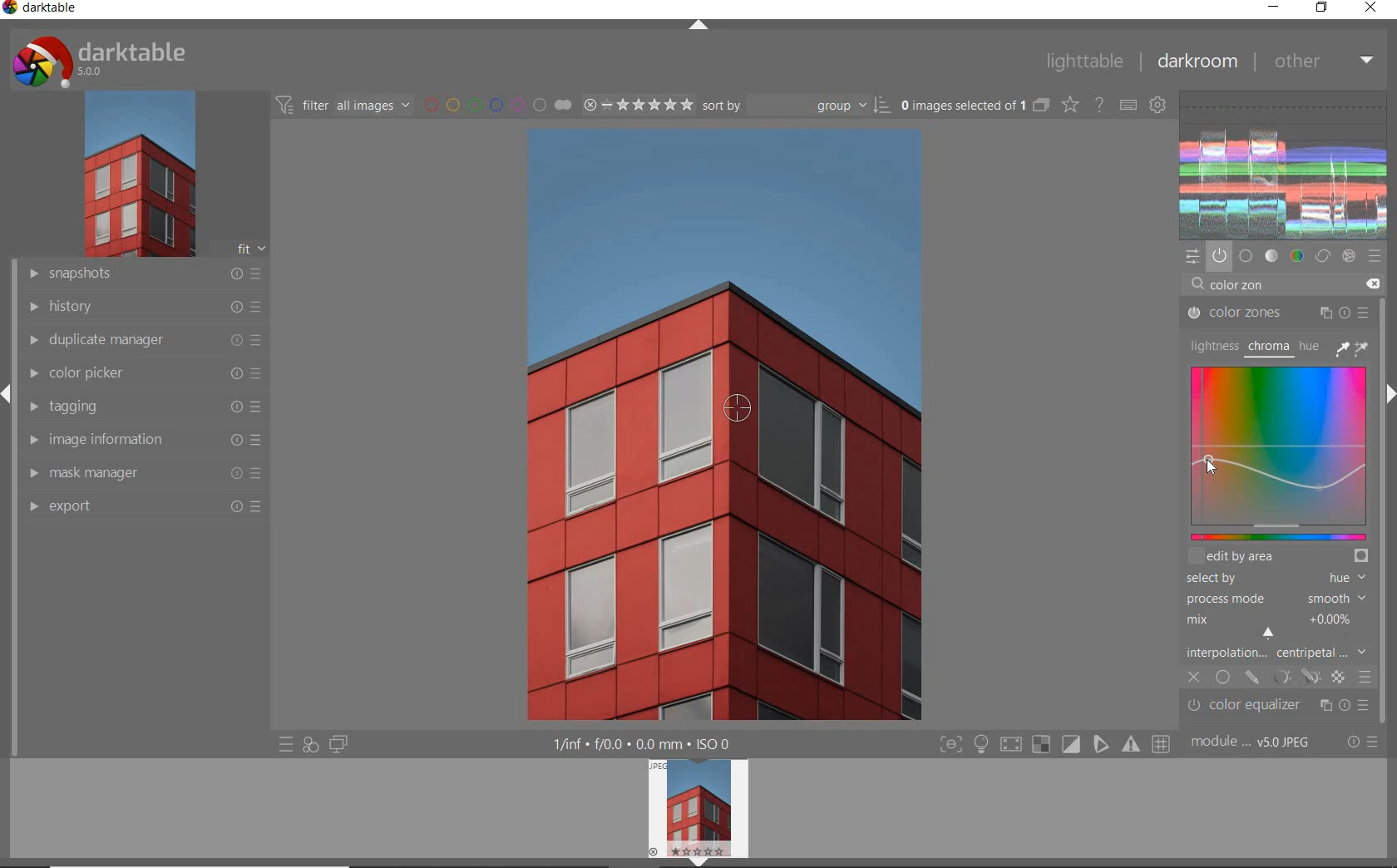 Image resolution: width=1397 pixels, height=868 pixels. What do you see at coordinates (1194, 678) in the screenshot?
I see `CLOSE` at bounding box center [1194, 678].